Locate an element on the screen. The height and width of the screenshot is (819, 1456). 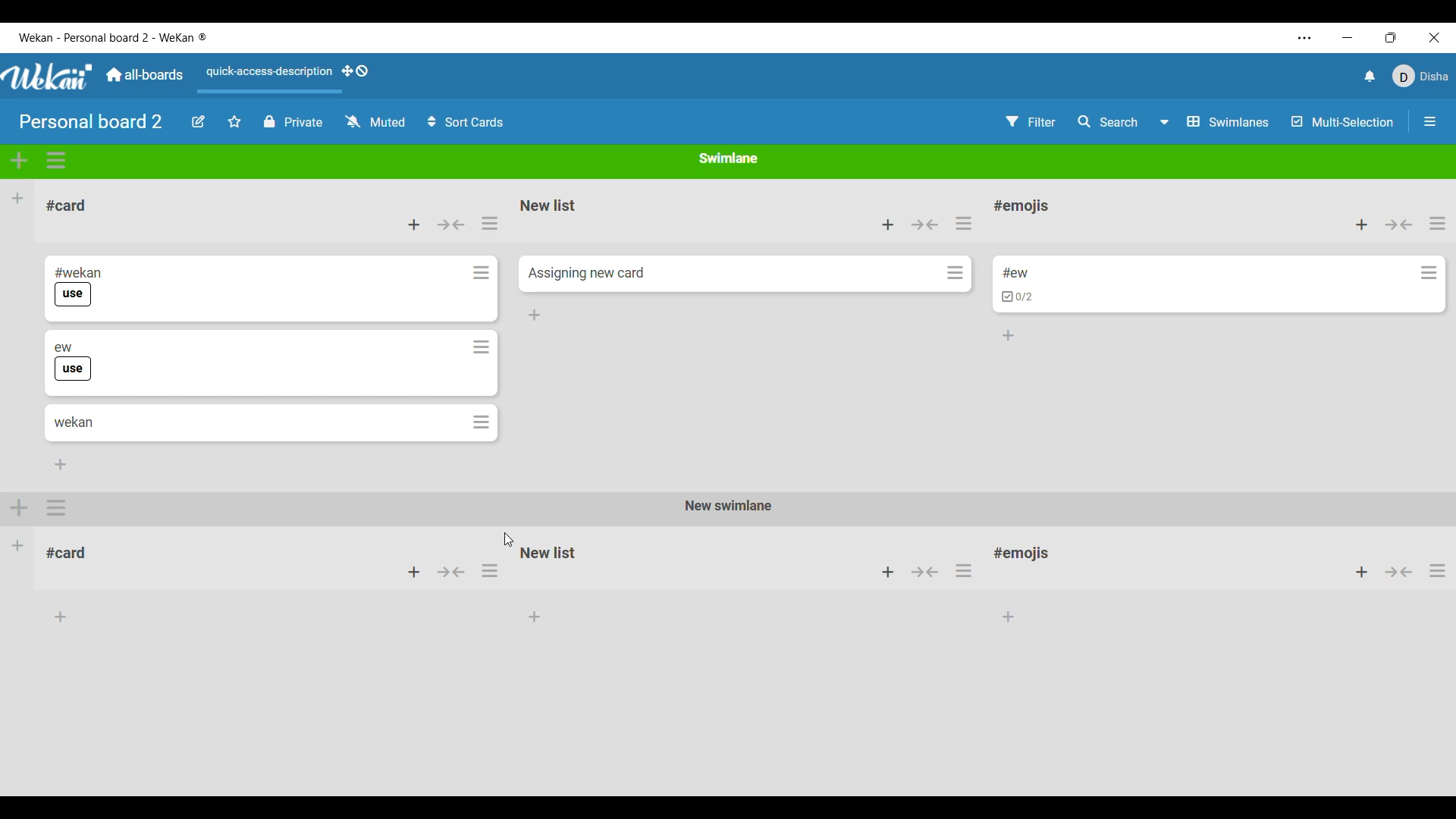
options is located at coordinates (964, 571).